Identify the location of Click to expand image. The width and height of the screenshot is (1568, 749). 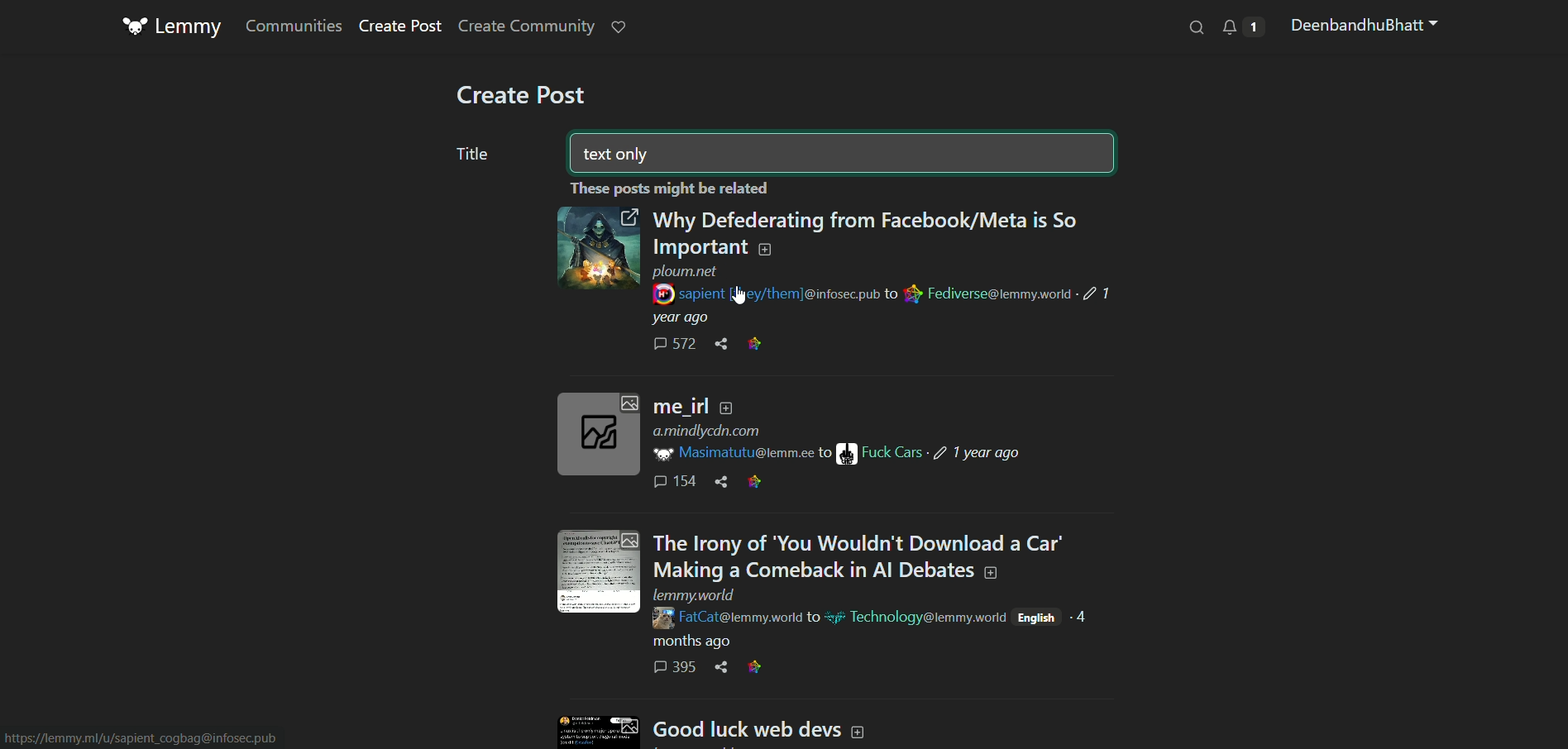
(599, 434).